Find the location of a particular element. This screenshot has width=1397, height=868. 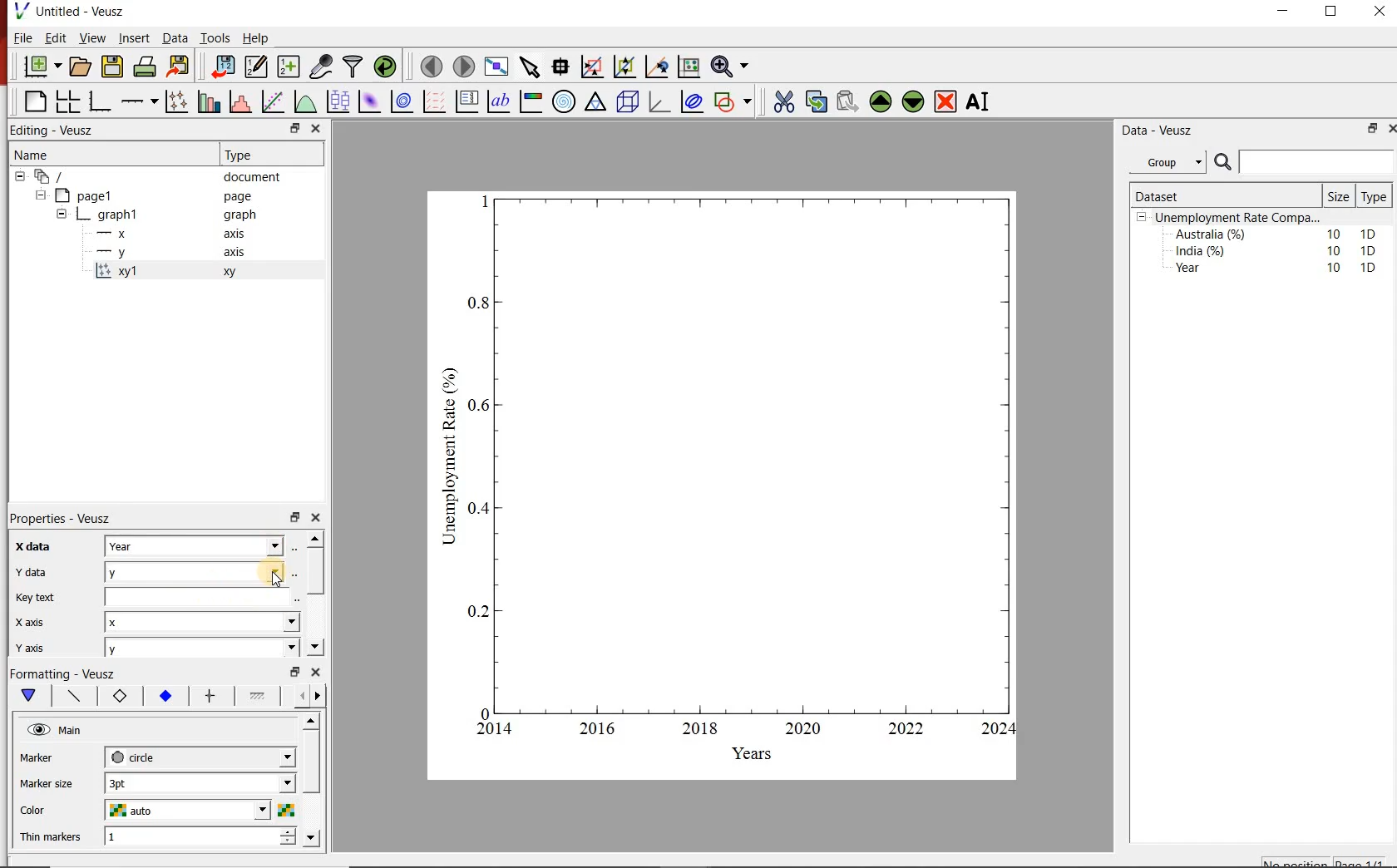

collapse is located at coordinates (61, 216).